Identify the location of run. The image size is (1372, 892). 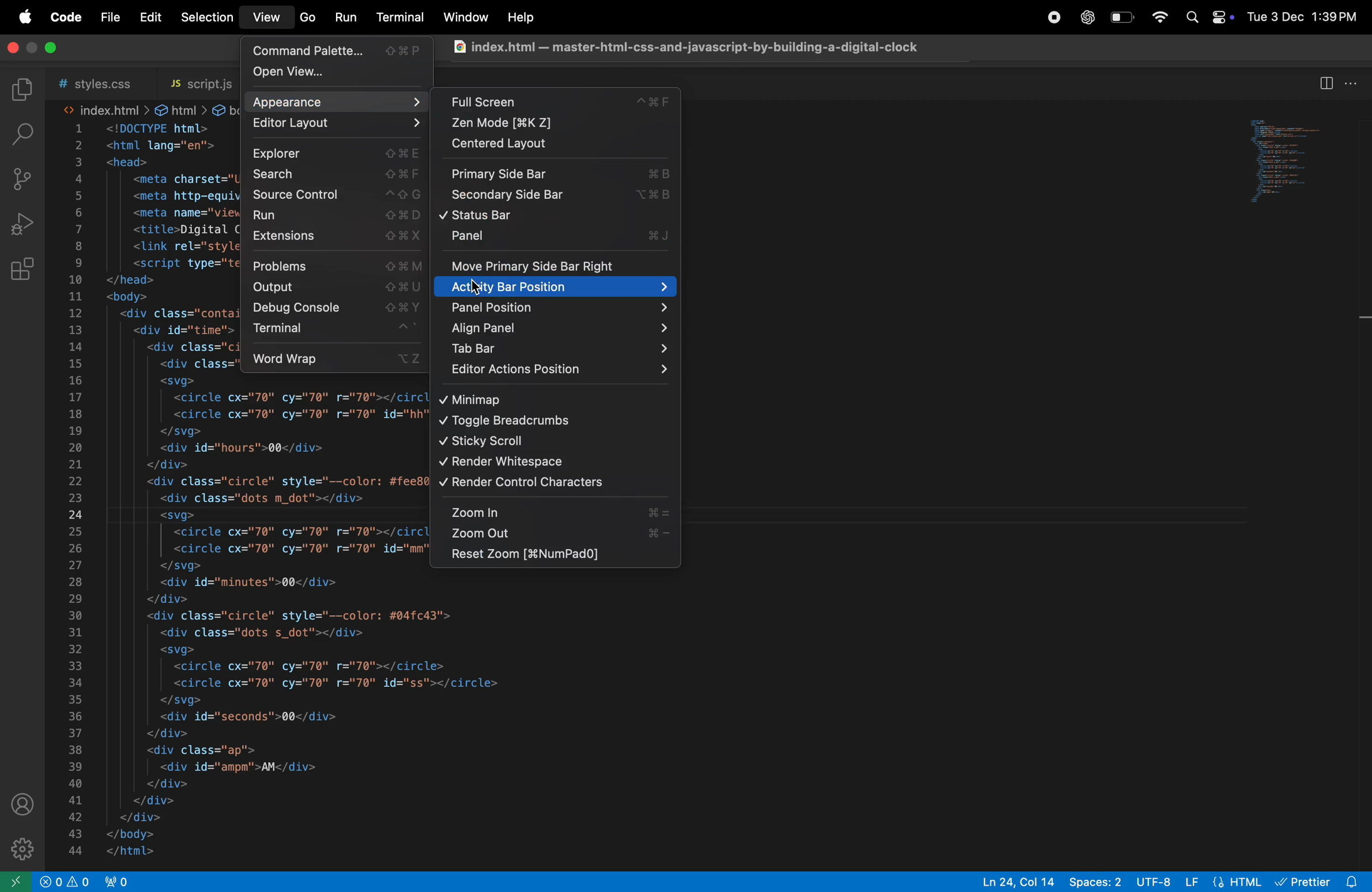
(338, 216).